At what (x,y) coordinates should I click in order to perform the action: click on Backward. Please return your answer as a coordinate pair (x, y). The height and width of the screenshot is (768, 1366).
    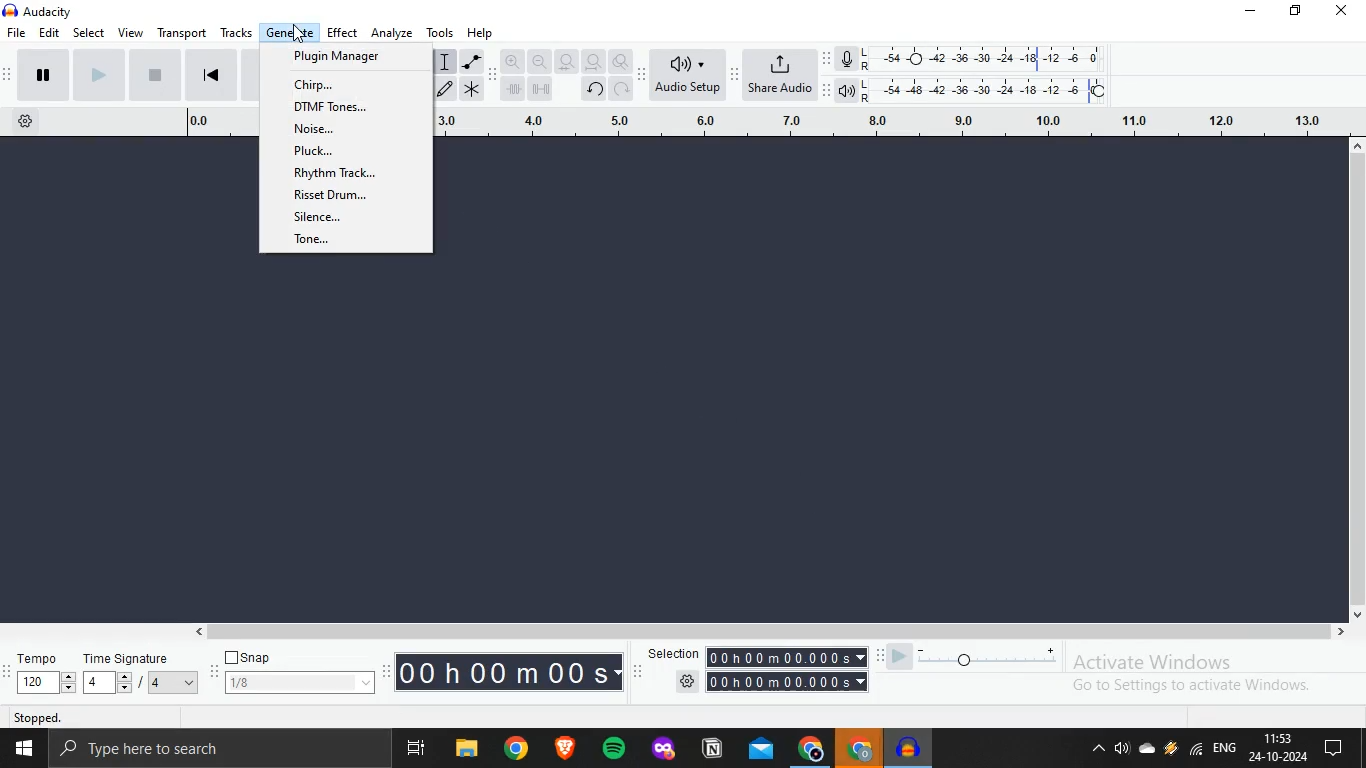
    Looking at the image, I should click on (216, 76).